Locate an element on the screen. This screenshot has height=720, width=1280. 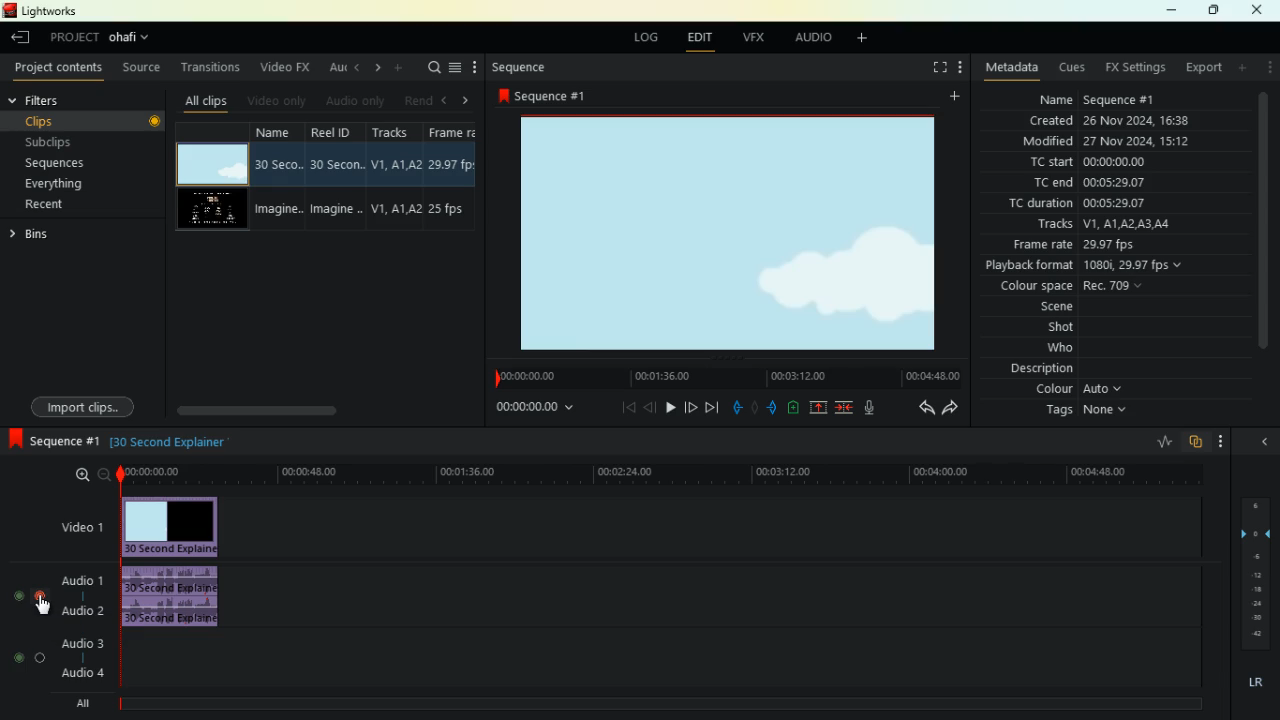
add is located at coordinates (858, 41).